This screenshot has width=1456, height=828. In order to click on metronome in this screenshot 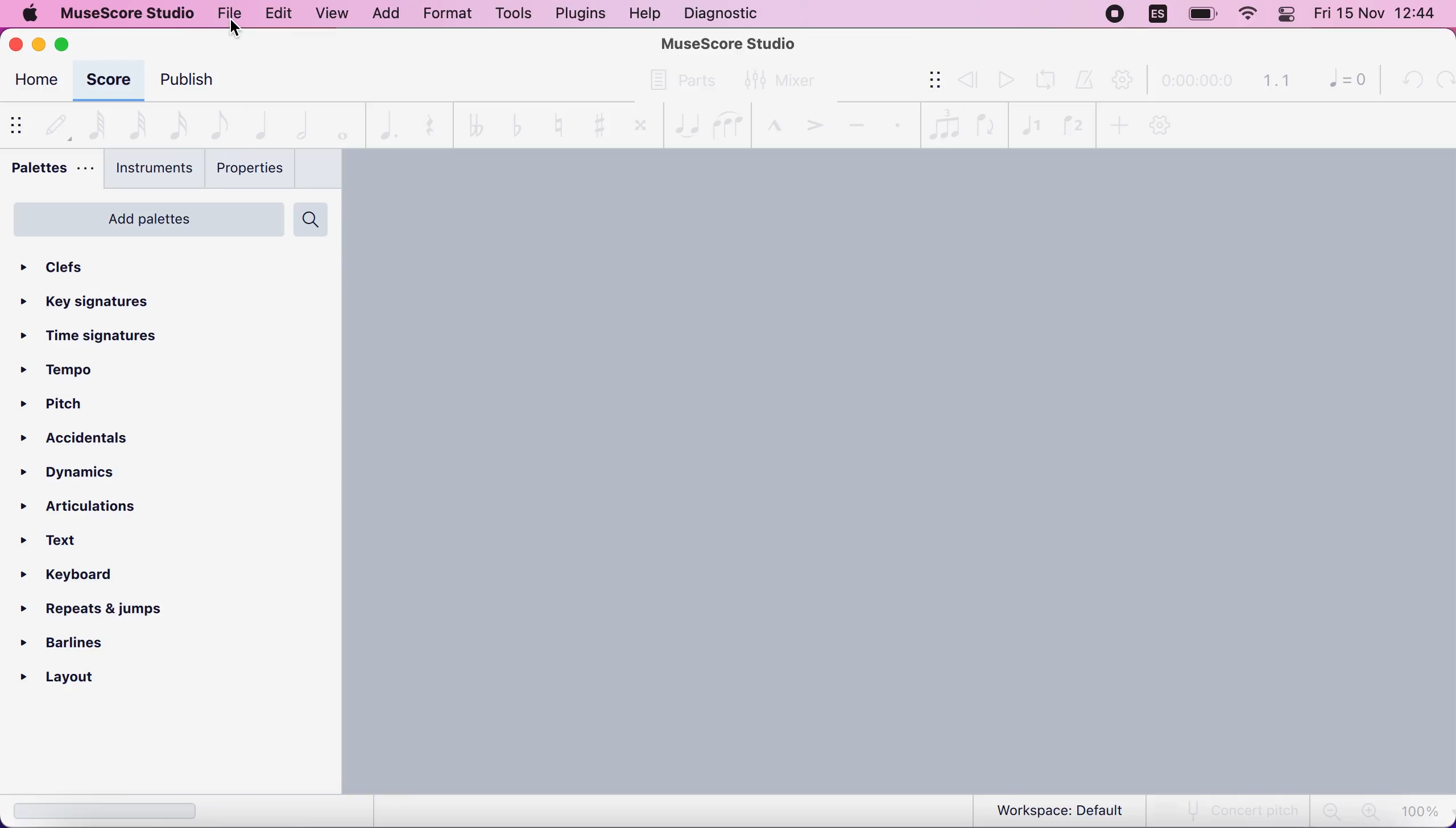, I will do `click(1086, 80)`.